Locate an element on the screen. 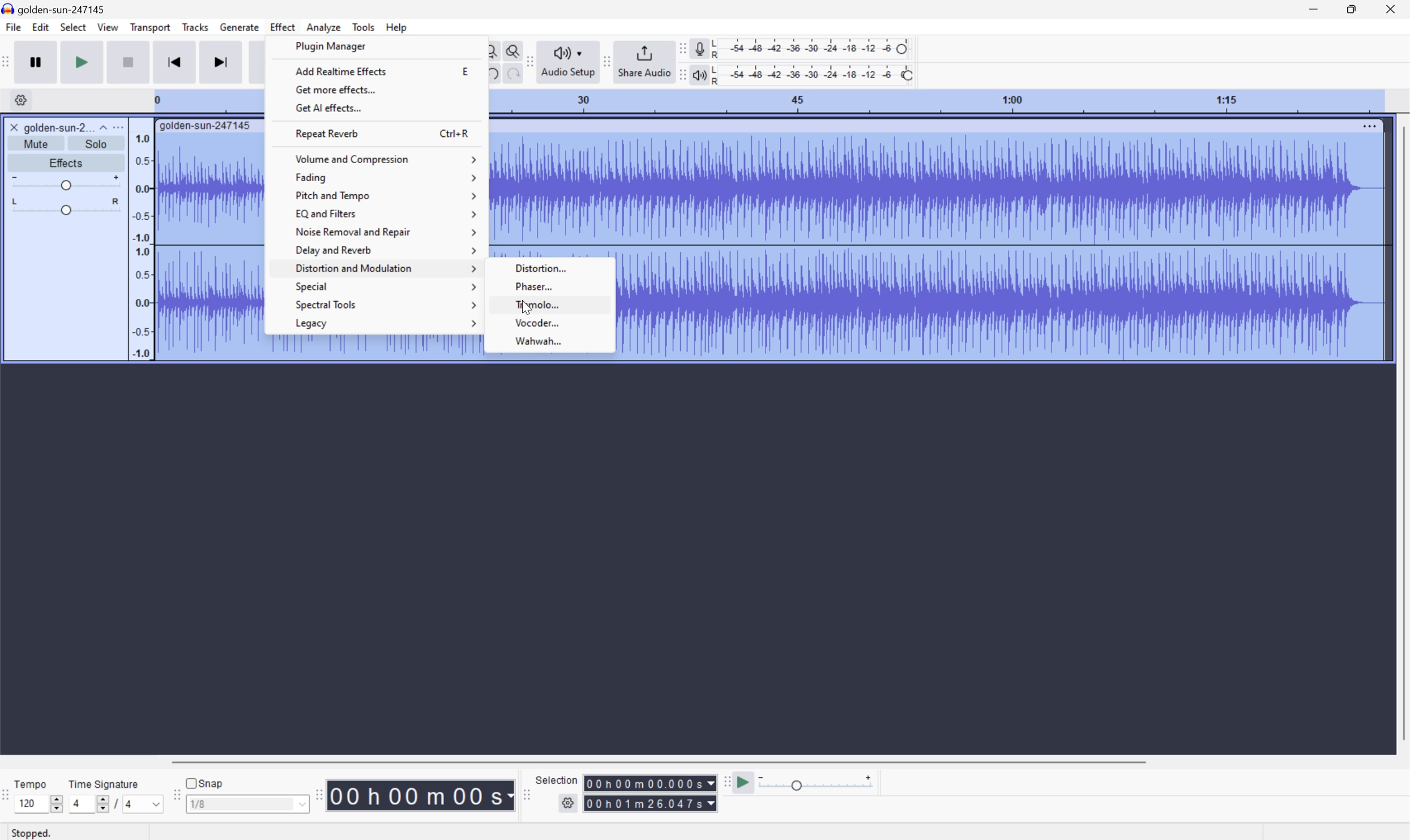  Snap is located at coordinates (206, 782).